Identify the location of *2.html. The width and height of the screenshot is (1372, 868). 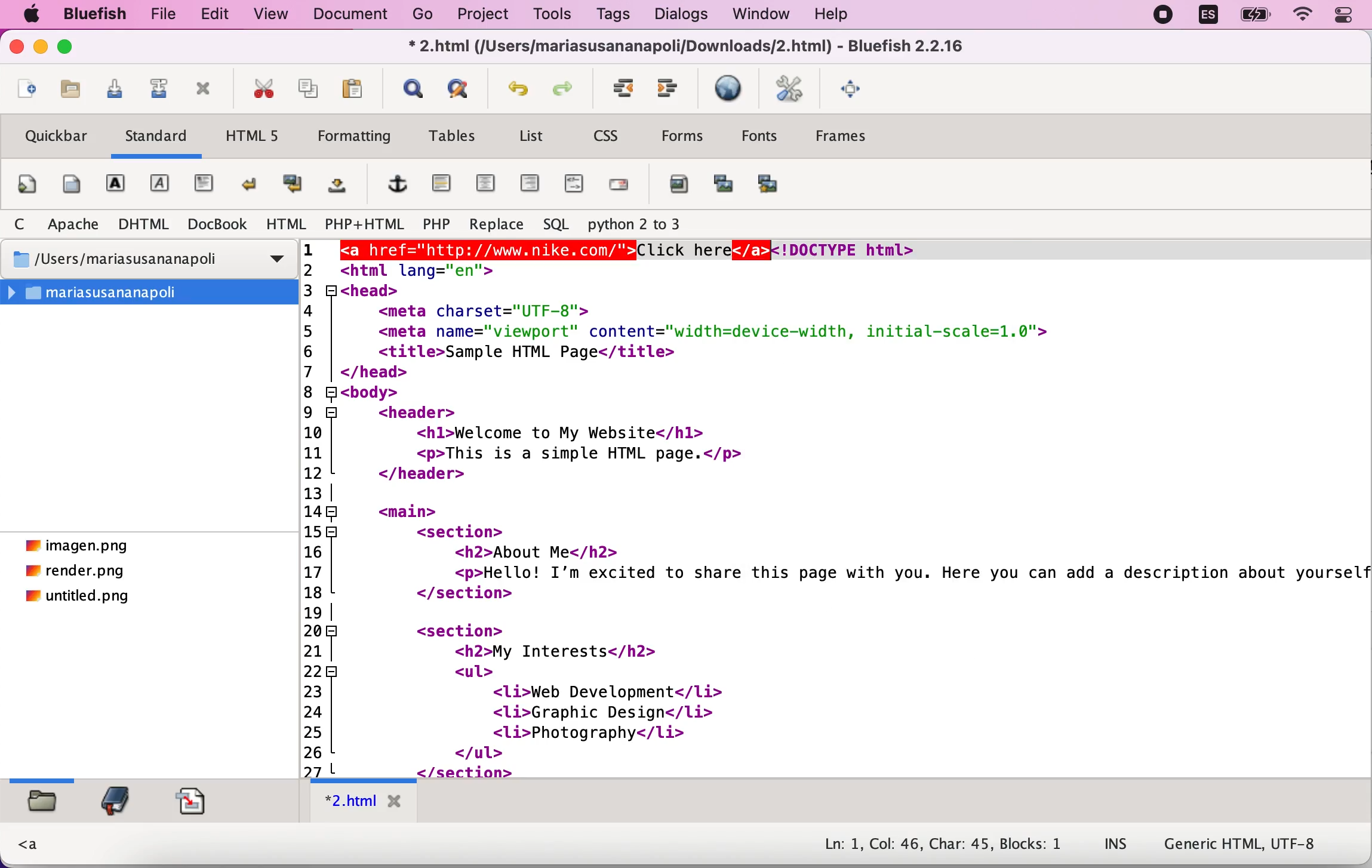
(364, 804).